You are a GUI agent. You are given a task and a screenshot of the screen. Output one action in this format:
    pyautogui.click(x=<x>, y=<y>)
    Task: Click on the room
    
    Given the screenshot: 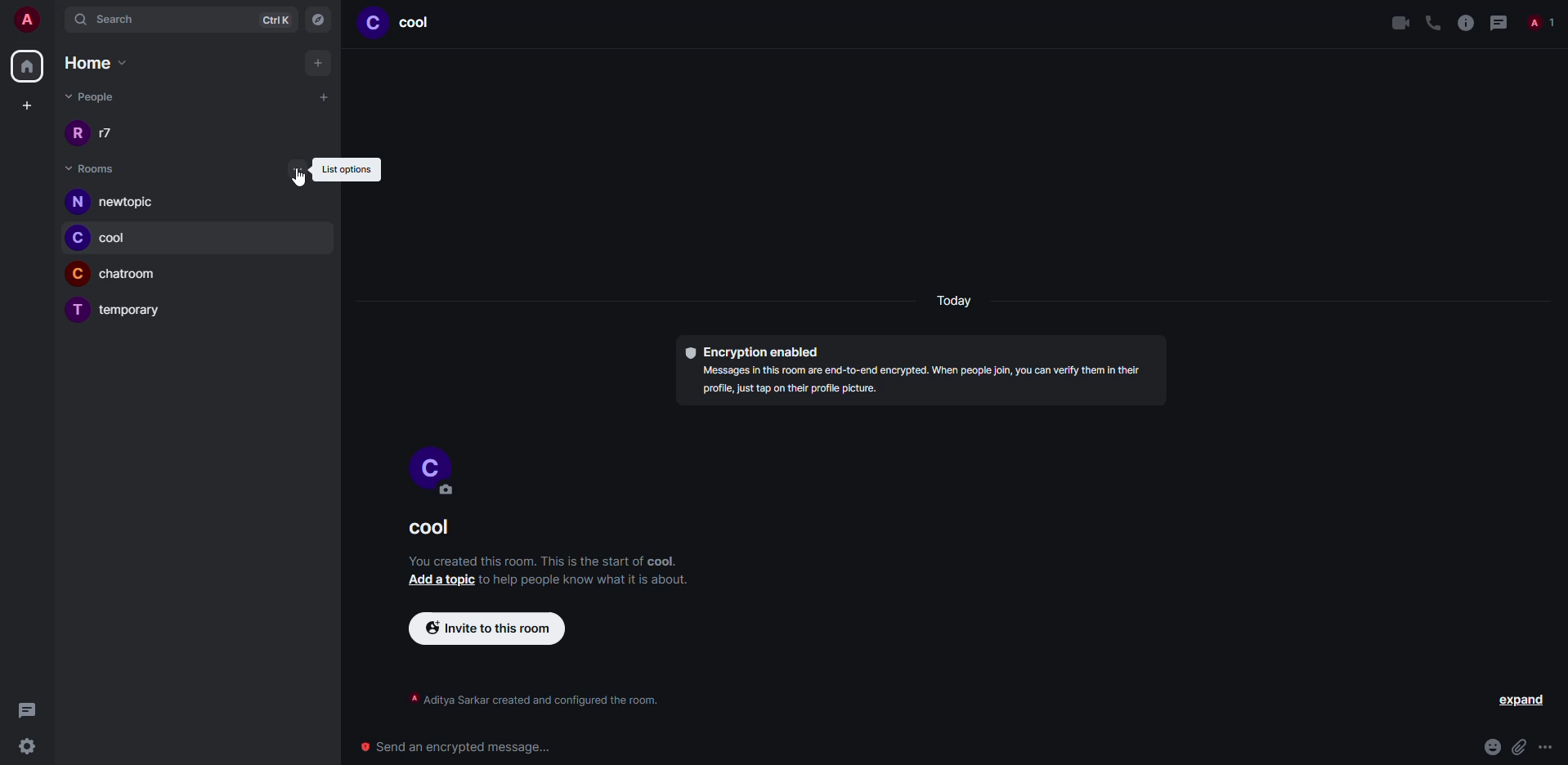 What is the action you would take?
    pyautogui.click(x=127, y=271)
    